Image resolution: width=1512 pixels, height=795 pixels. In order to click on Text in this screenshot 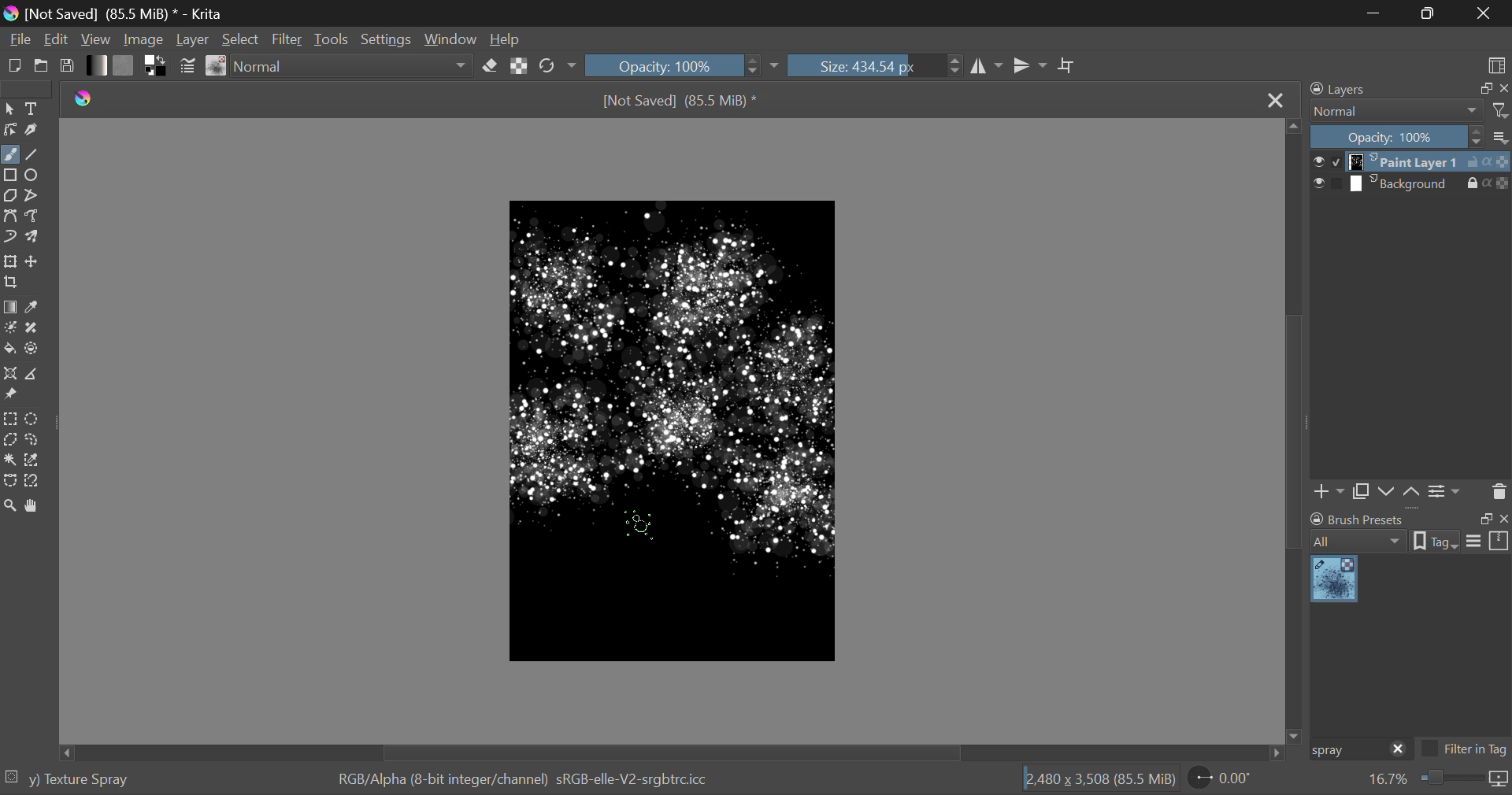, I will do `click(35, 107)`.